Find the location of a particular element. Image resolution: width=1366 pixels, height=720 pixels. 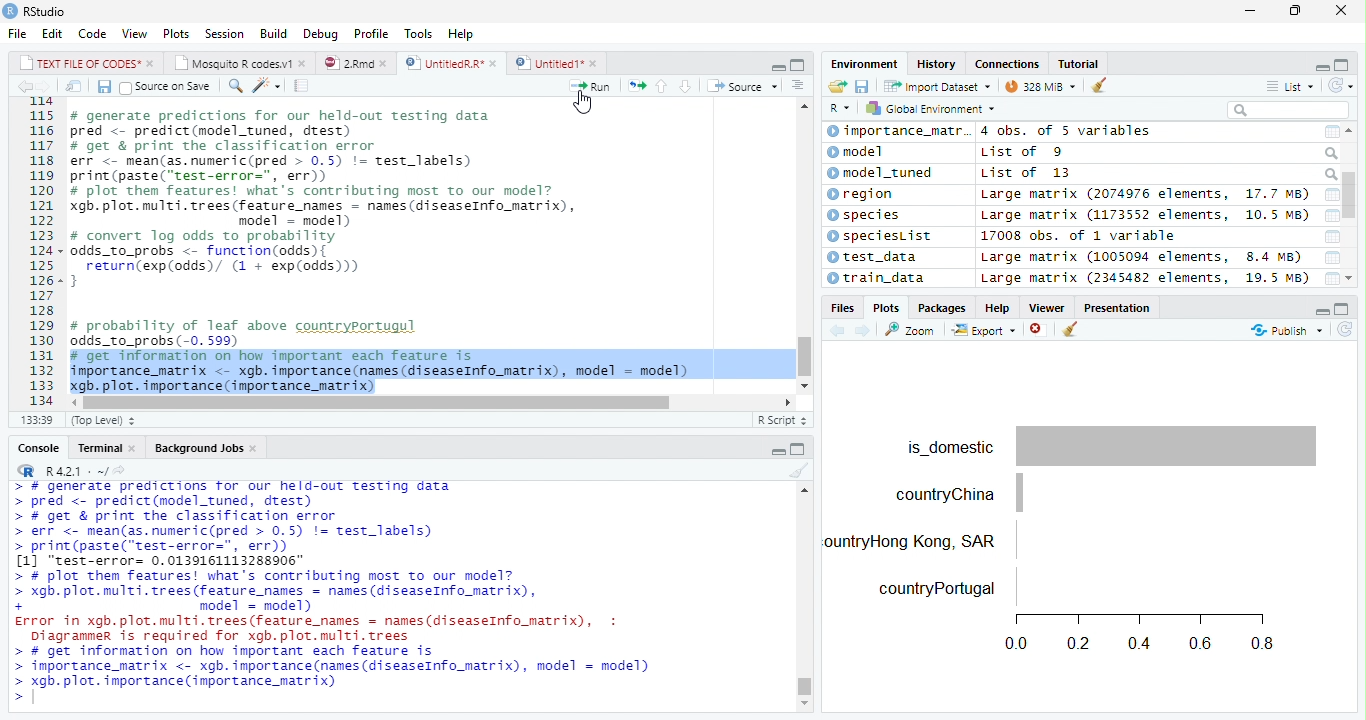

Close is located at coordinates (1340, 11).